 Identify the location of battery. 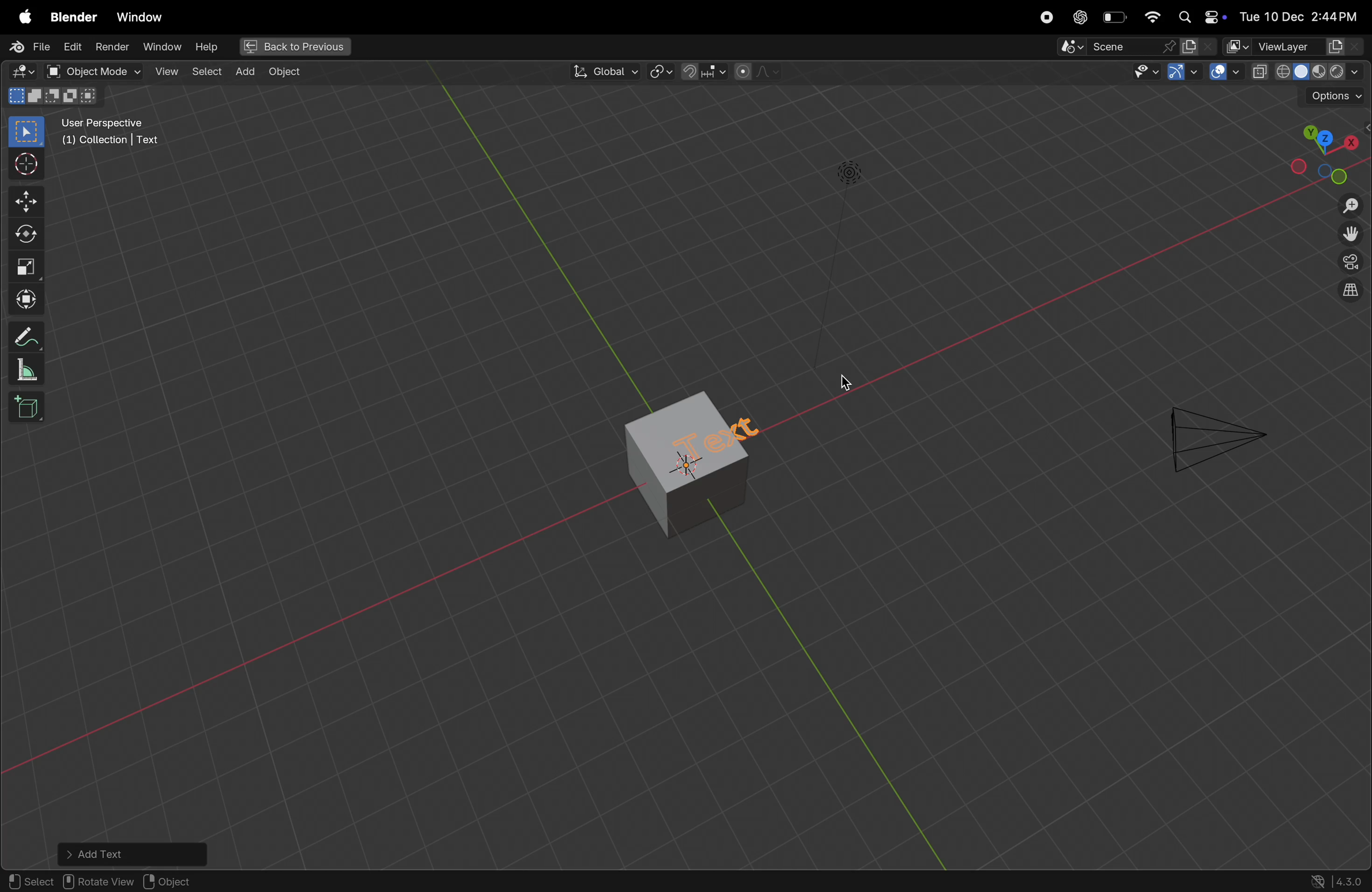
(1115, 17).